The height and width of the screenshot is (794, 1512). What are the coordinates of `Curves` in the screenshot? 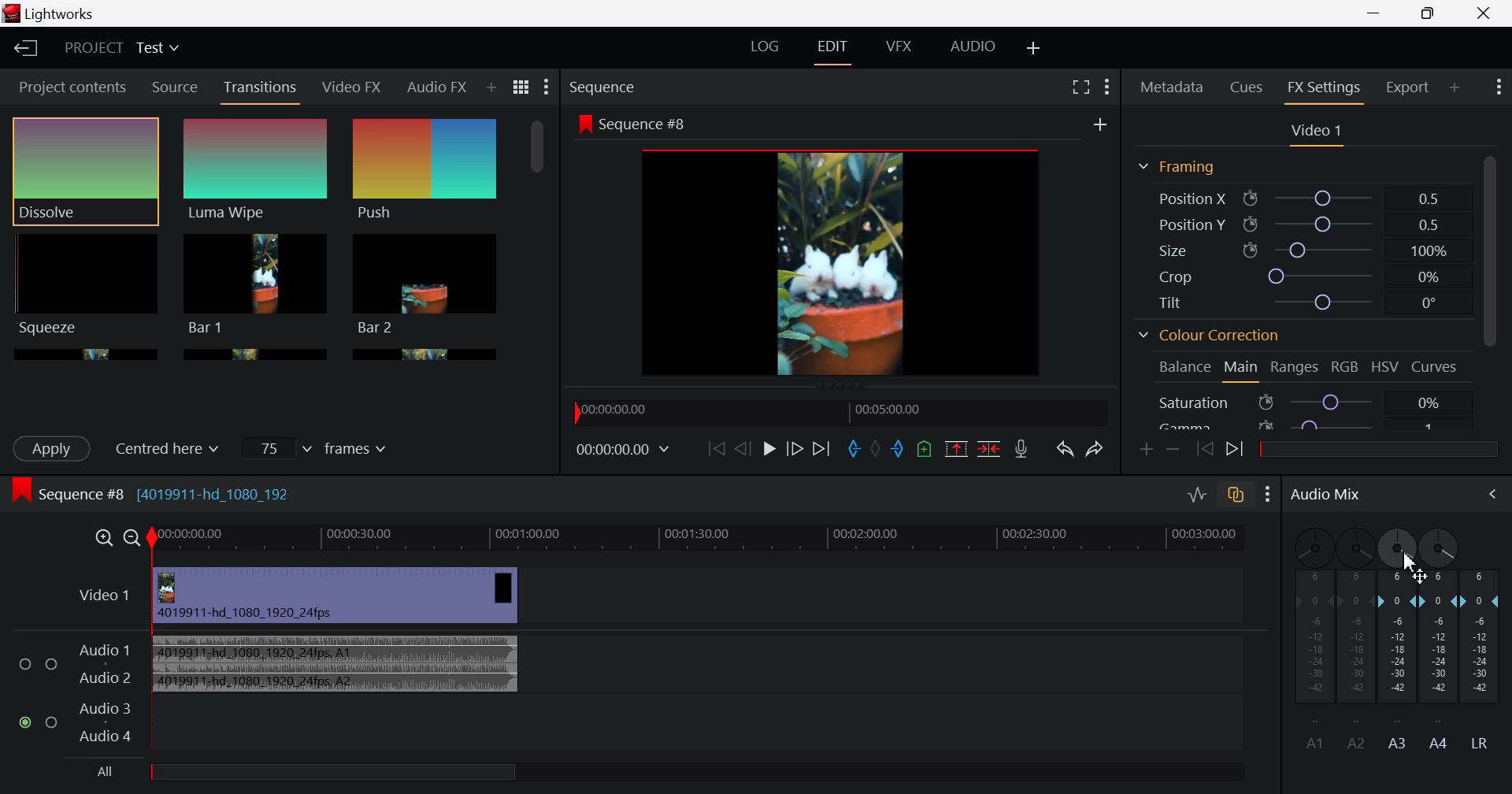 It's located at (1433, 366).